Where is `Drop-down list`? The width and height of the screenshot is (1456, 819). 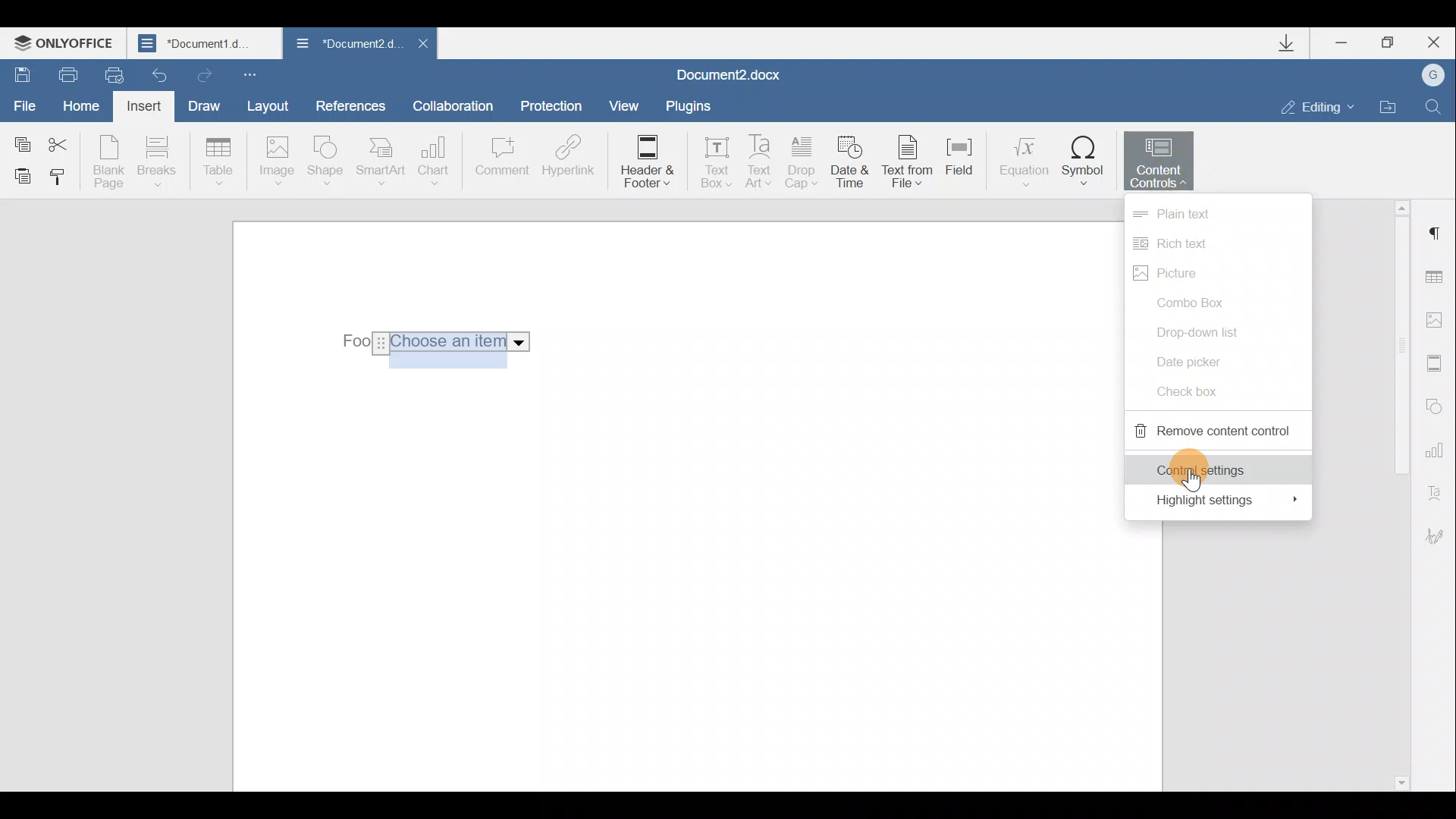 Drop-down list is located at coordinates (1210, 330).